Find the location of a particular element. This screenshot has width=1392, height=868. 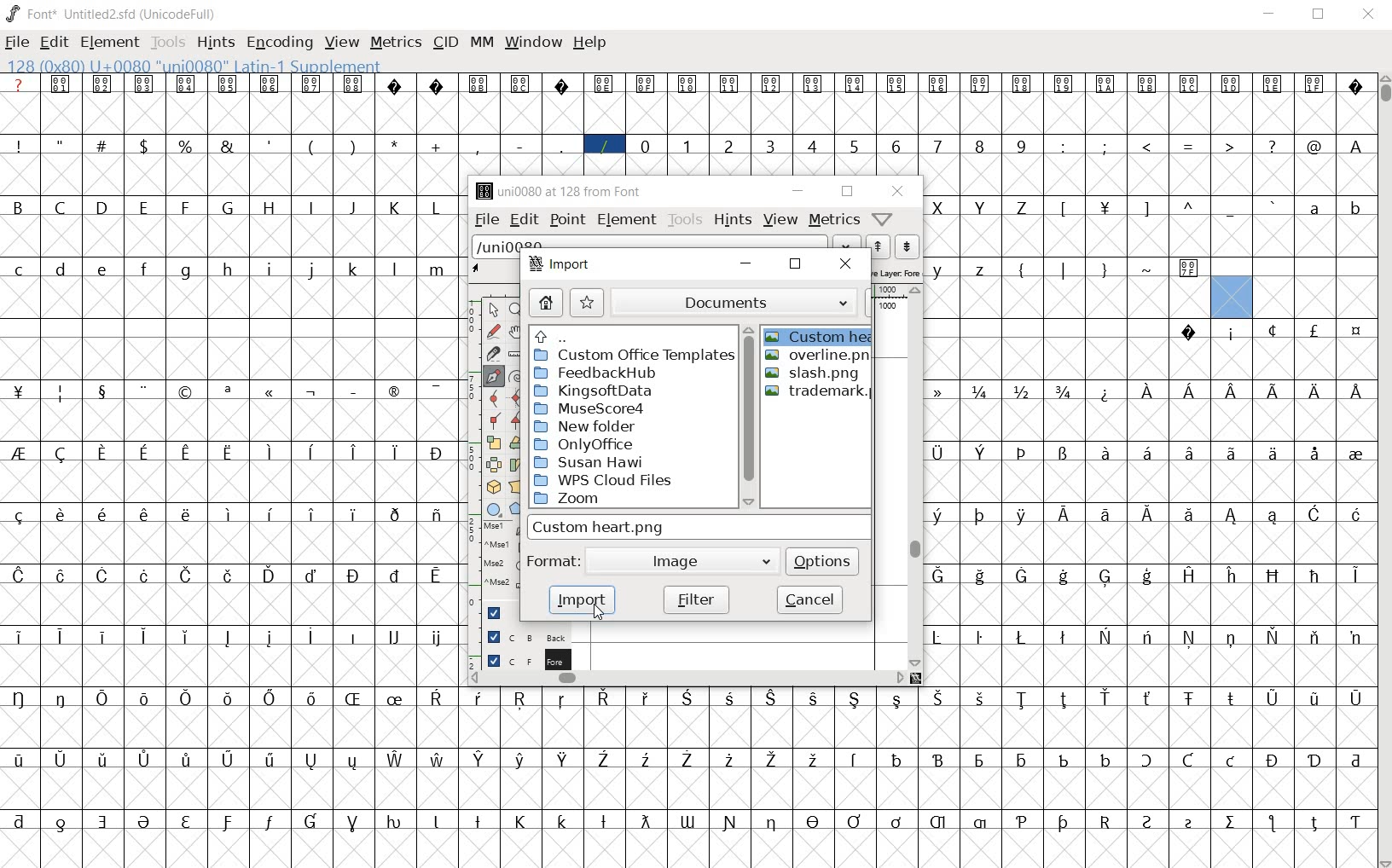

glyph is located at coordinates (1064, 147).